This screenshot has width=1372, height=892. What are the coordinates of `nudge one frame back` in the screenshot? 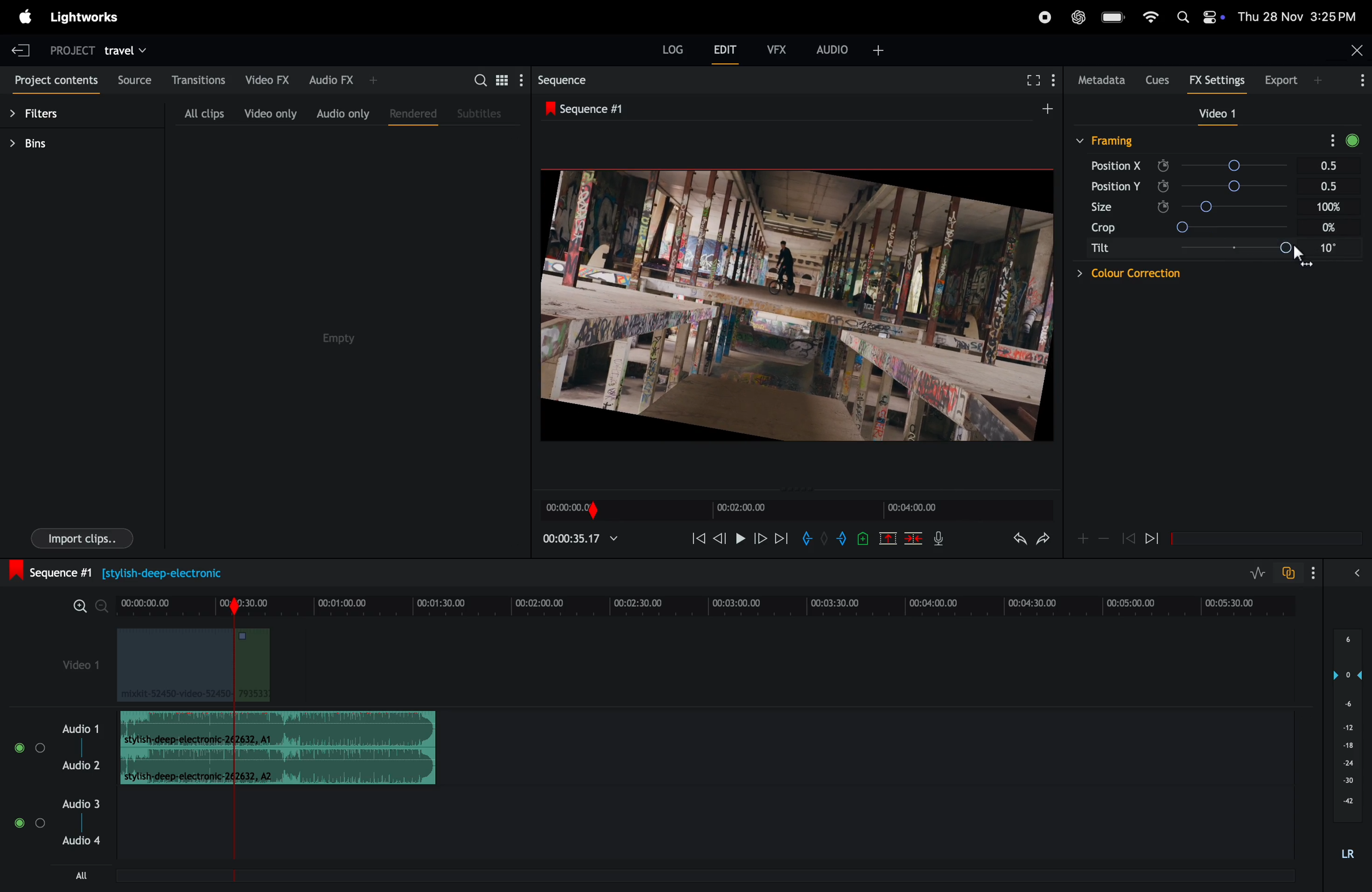 It's located at (720, 542).